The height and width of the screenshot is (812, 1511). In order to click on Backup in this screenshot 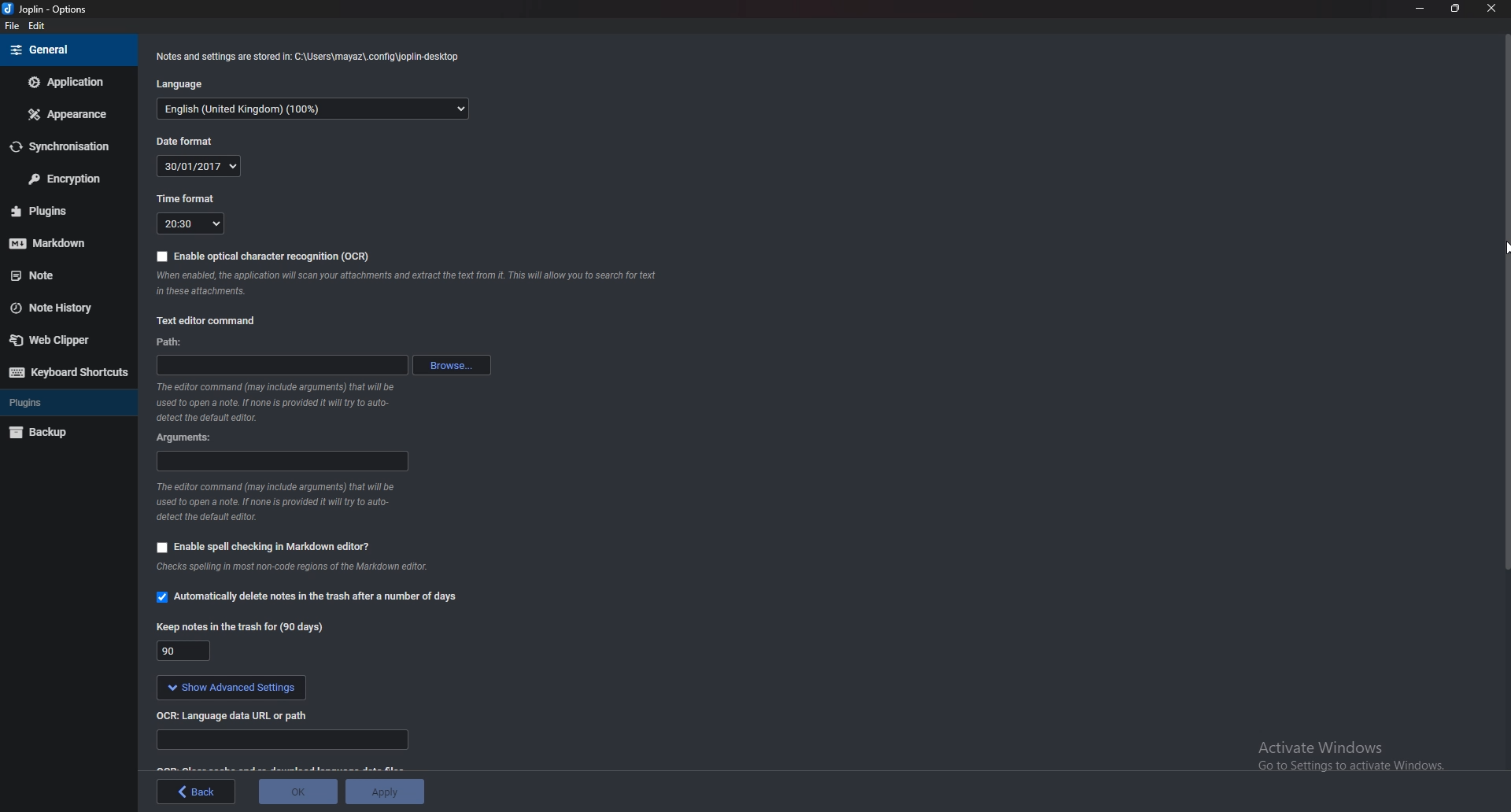, I will do `click(61, 433)`.